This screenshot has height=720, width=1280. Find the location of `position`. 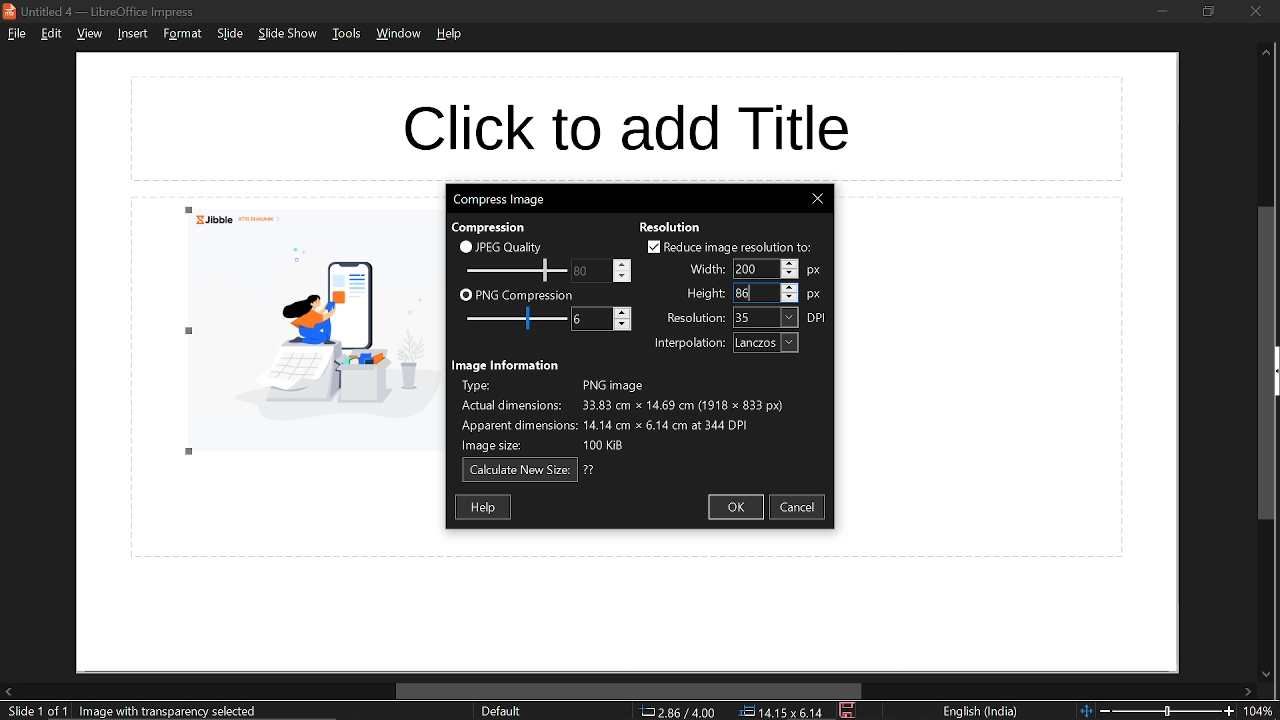

position is located at coordinates (781, 712).